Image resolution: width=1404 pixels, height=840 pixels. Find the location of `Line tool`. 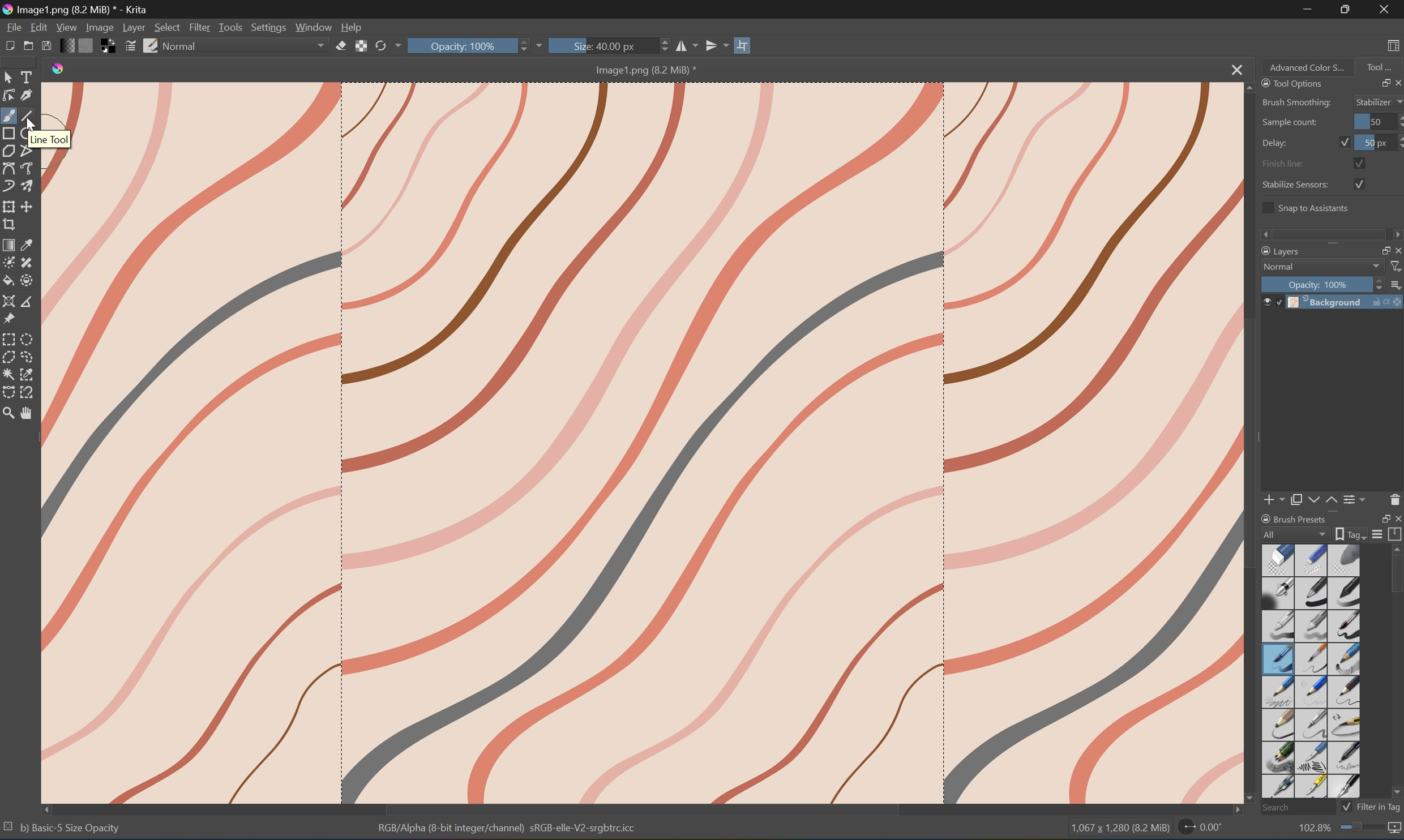

Line tool is located at coordinates (28, 115).